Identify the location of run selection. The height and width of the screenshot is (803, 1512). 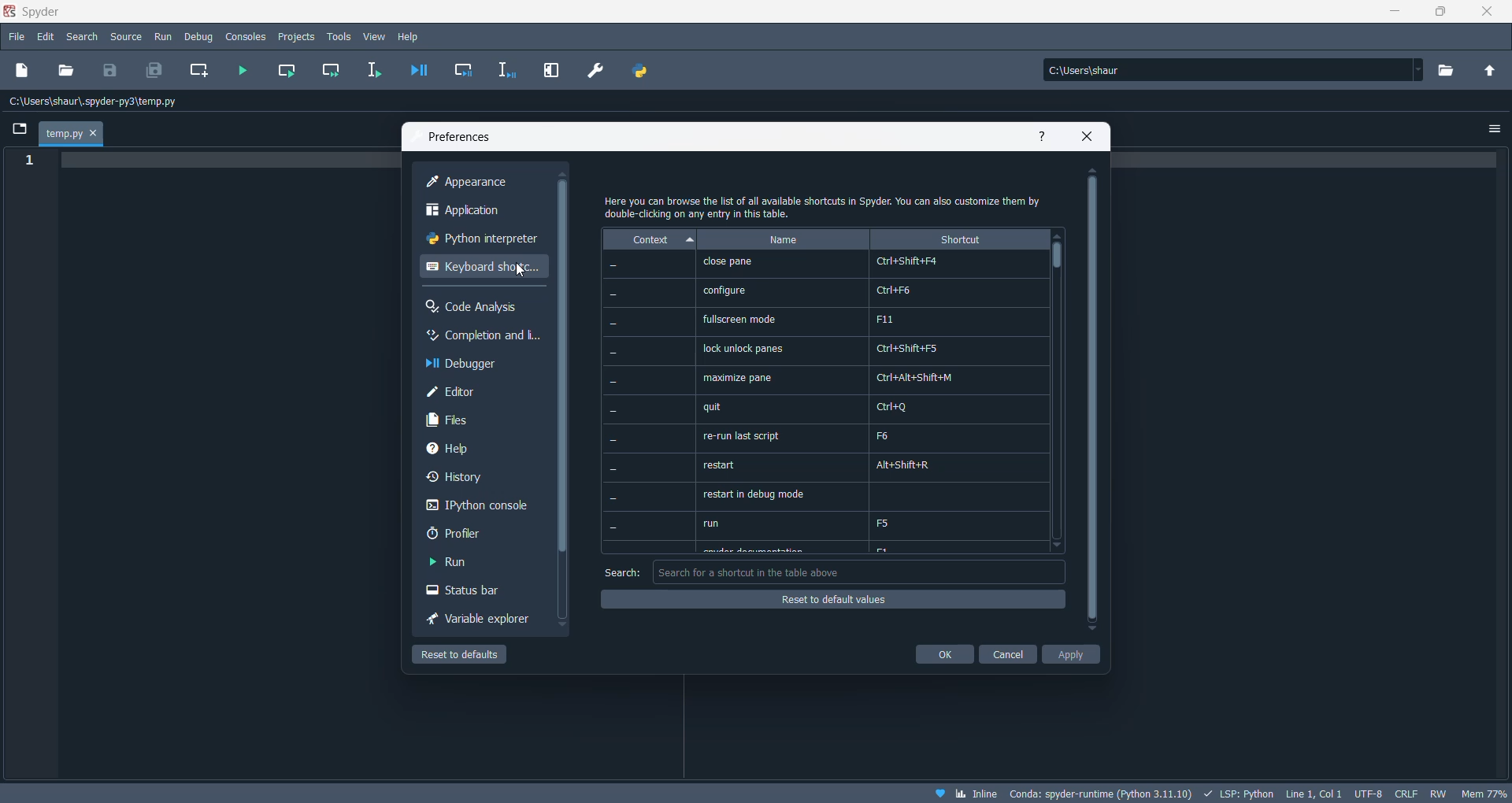
(369, 72).